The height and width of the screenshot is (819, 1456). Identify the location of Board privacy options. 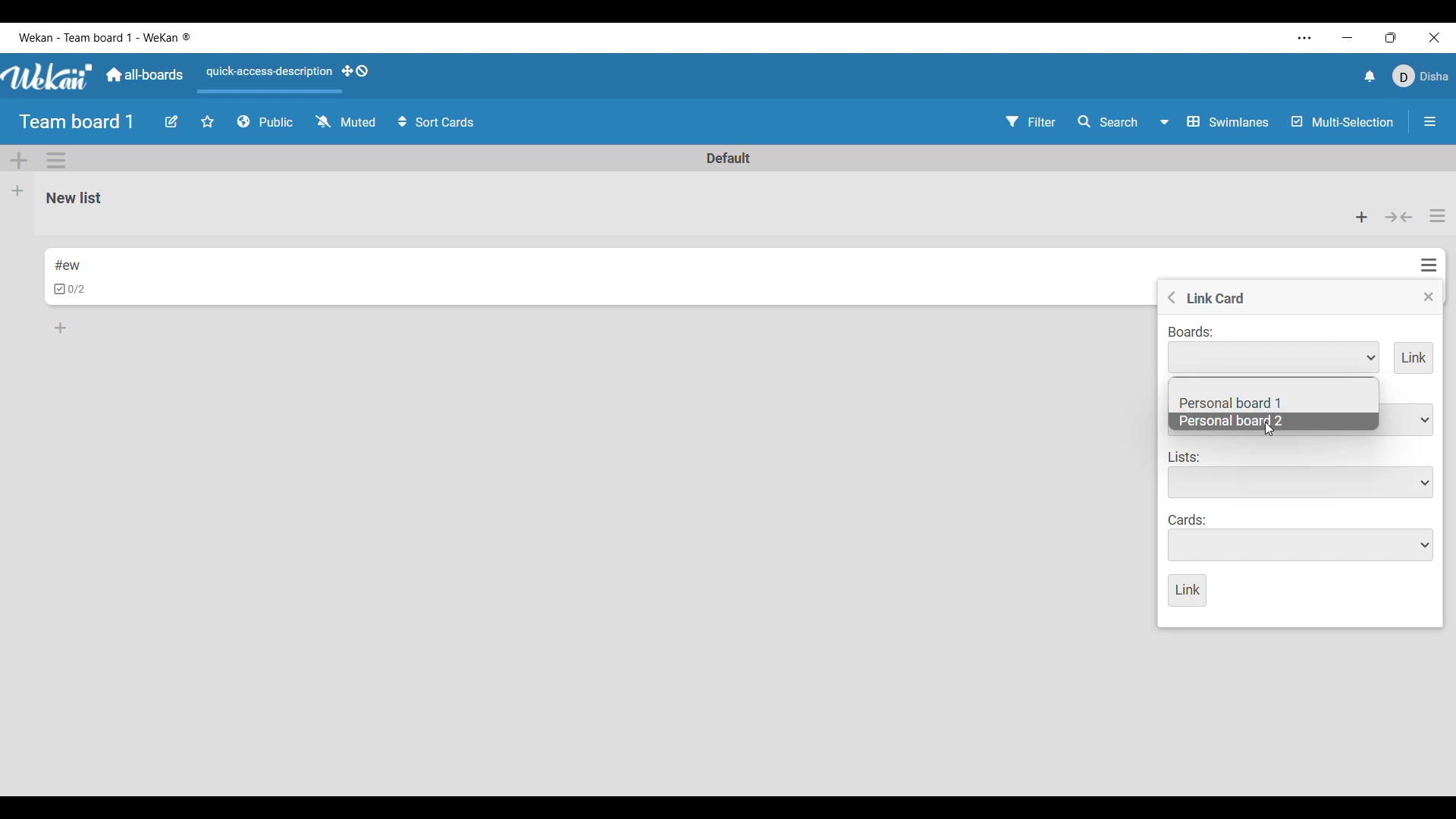
(265, 122).